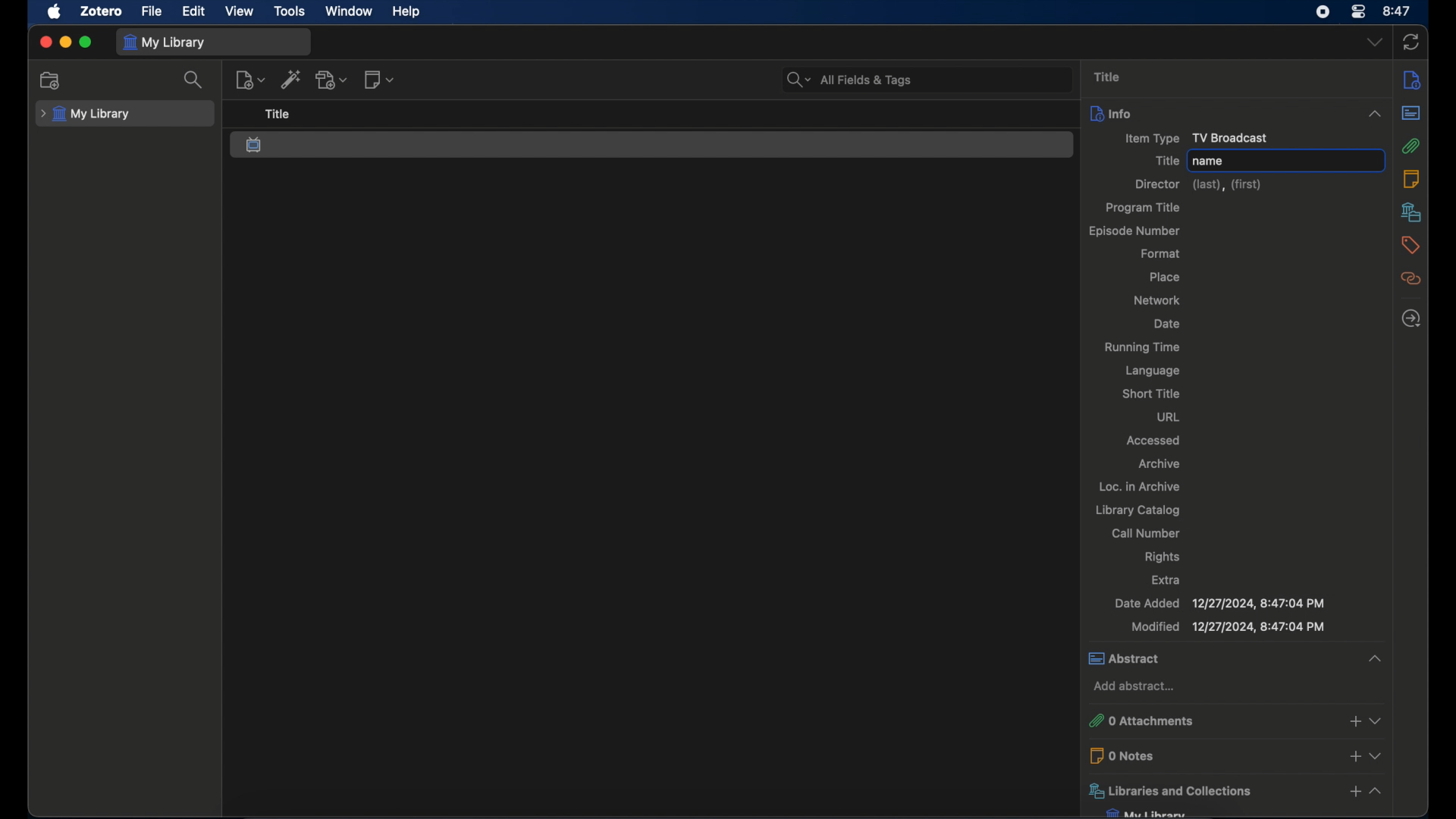 This screenshot has width=1456, height=819. I want to click on add attachments, so click(1351, 723).